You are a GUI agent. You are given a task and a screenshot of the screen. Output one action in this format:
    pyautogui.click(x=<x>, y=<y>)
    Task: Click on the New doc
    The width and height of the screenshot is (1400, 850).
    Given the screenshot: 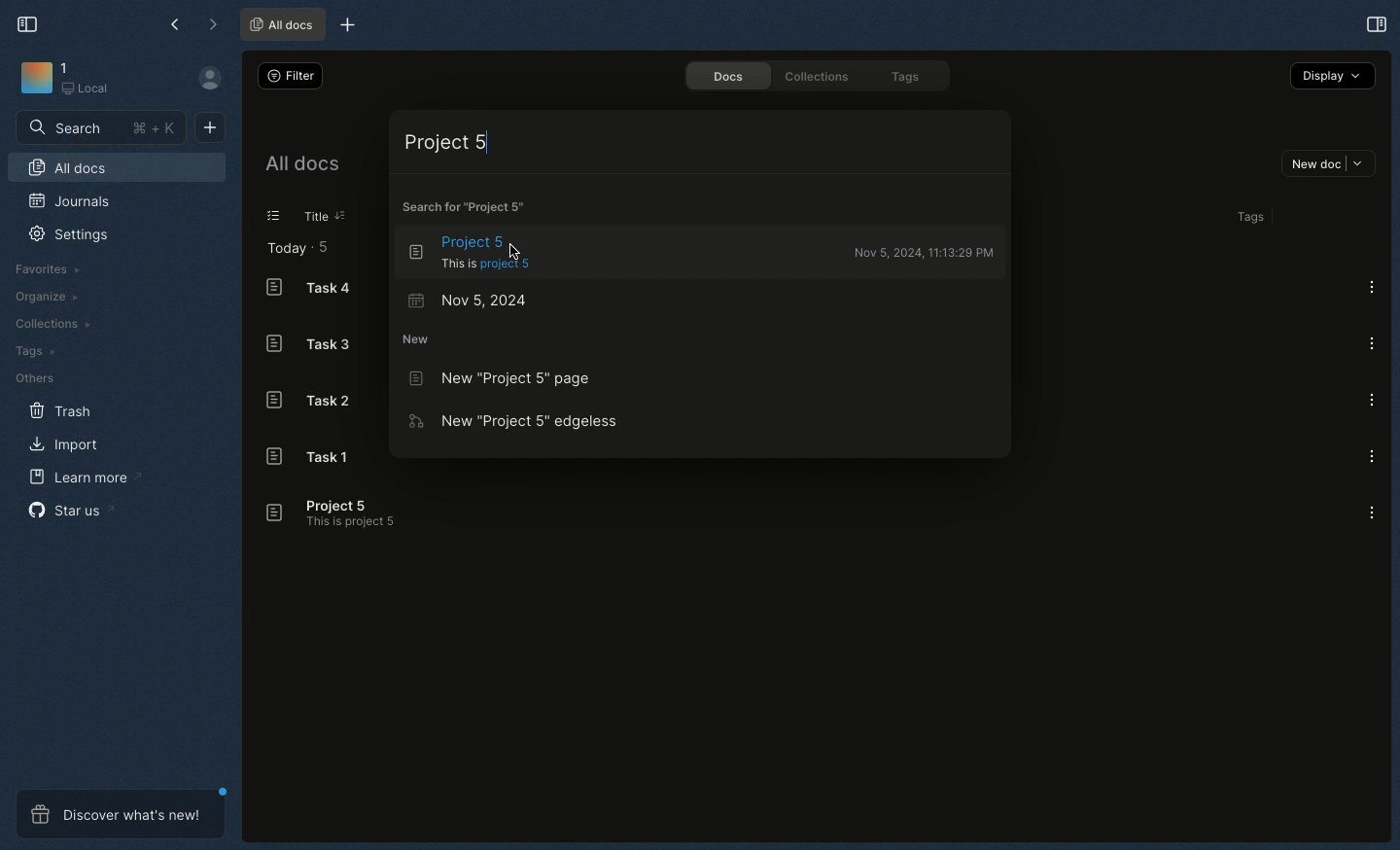 What is the action you would take?
    pyautogui.click(x=1325, y=164)
    